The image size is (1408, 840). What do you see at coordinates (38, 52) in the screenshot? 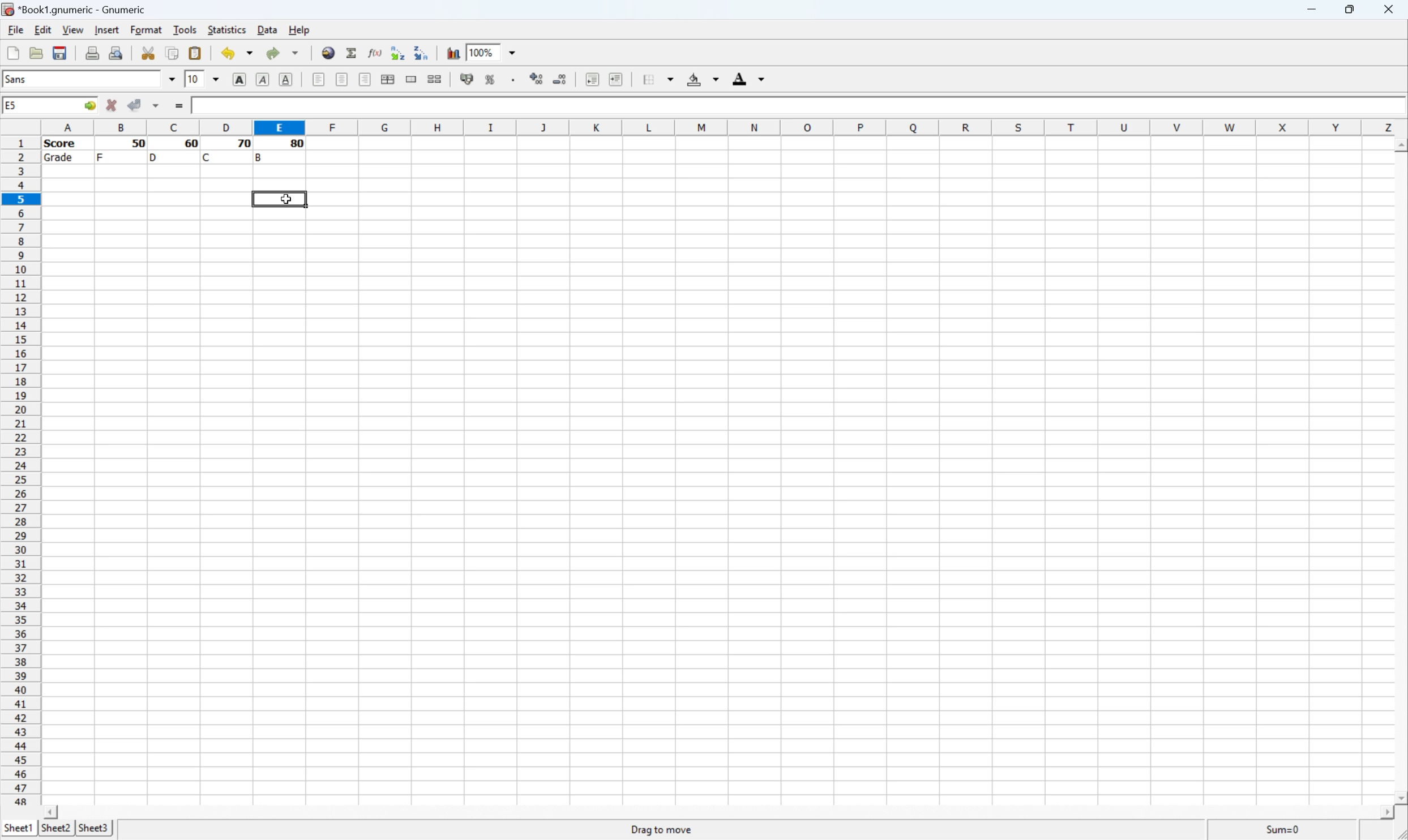
I see `Open a file` at bounding box center [38, 52].